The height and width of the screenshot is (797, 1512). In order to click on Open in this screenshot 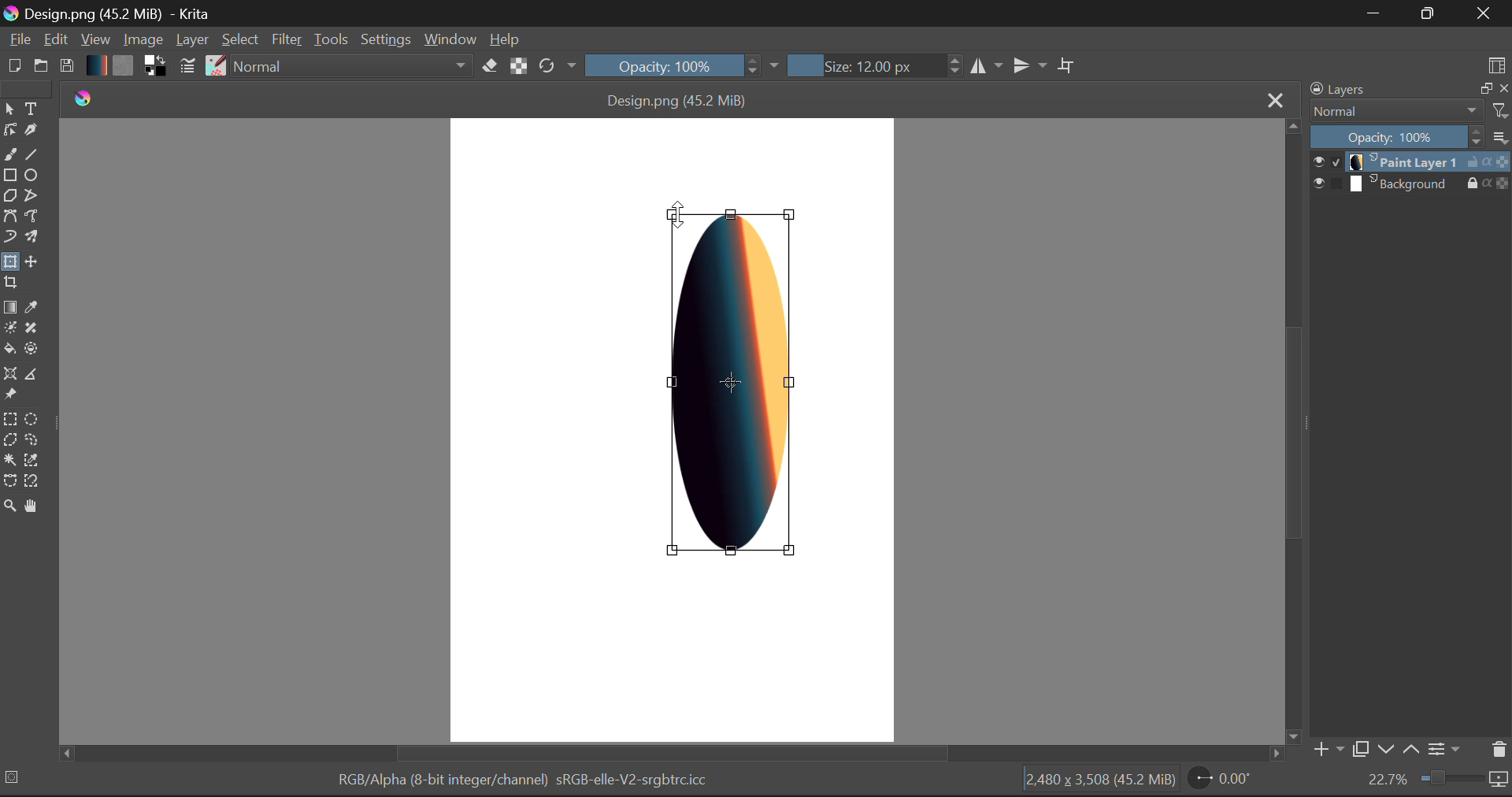, I will do `click(41, 66)`.